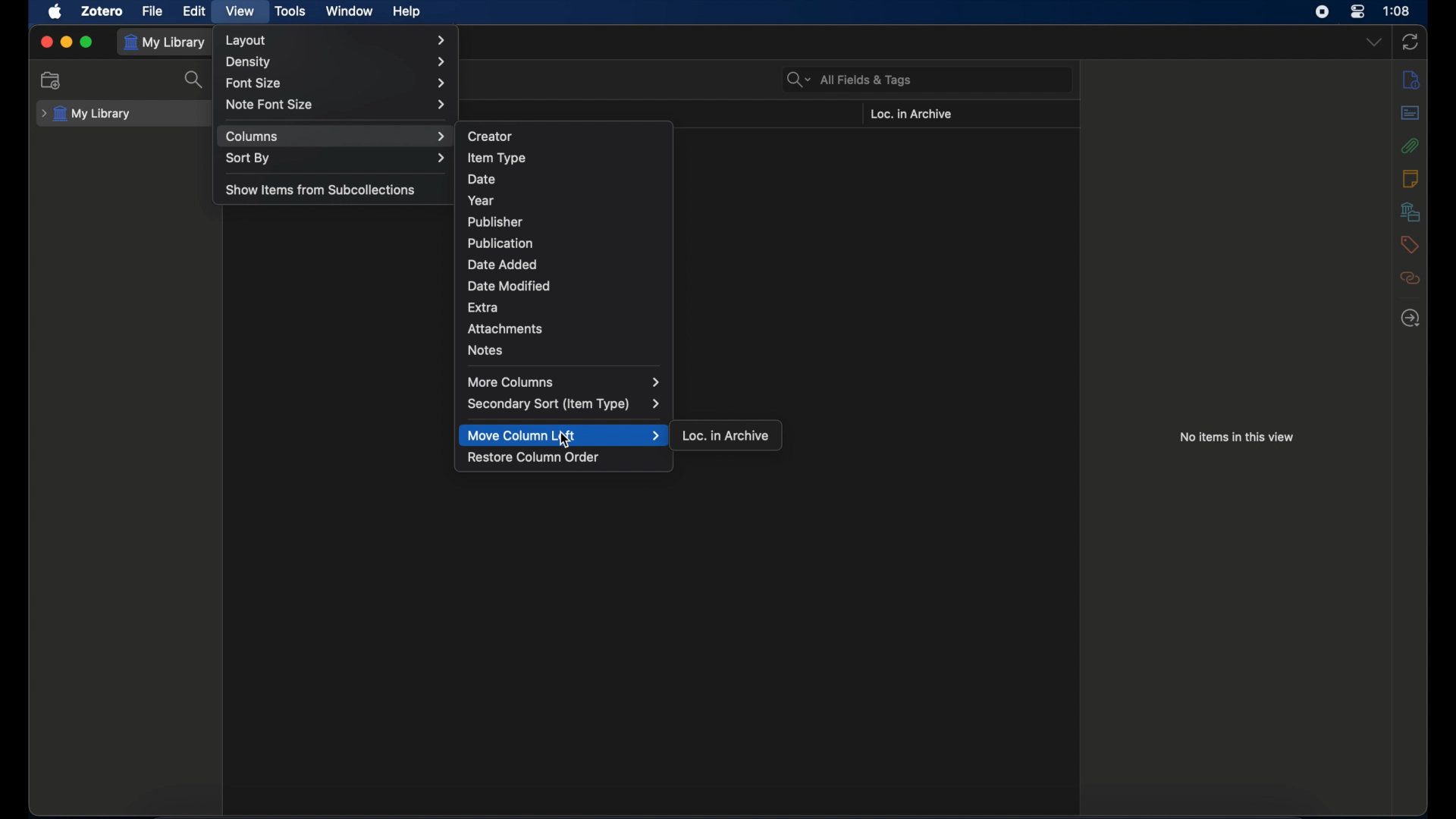 The image size is (1456, 819). I want to click on edit, so click(195, 11).